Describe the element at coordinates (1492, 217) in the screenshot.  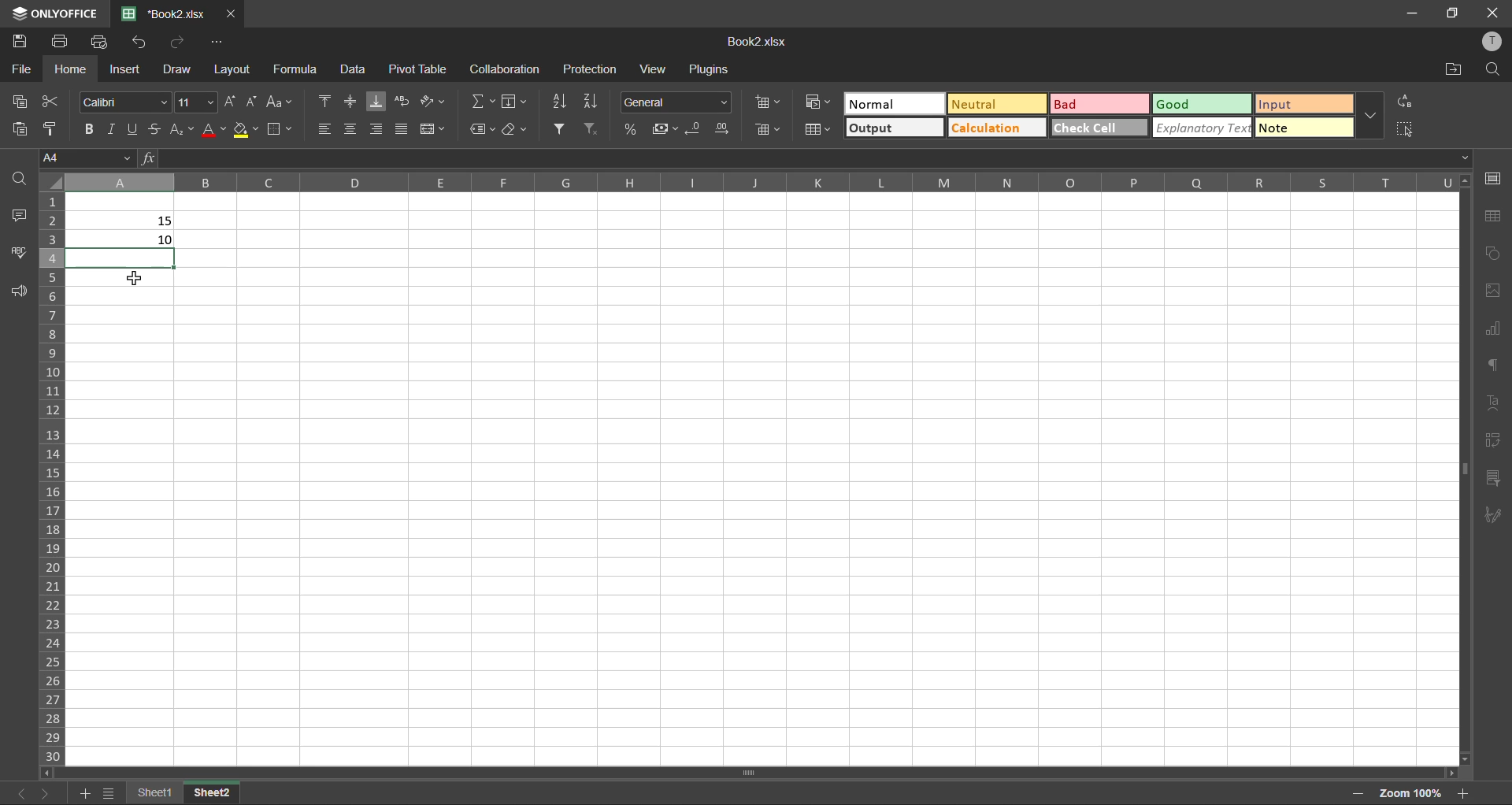
I see `table` at that location.